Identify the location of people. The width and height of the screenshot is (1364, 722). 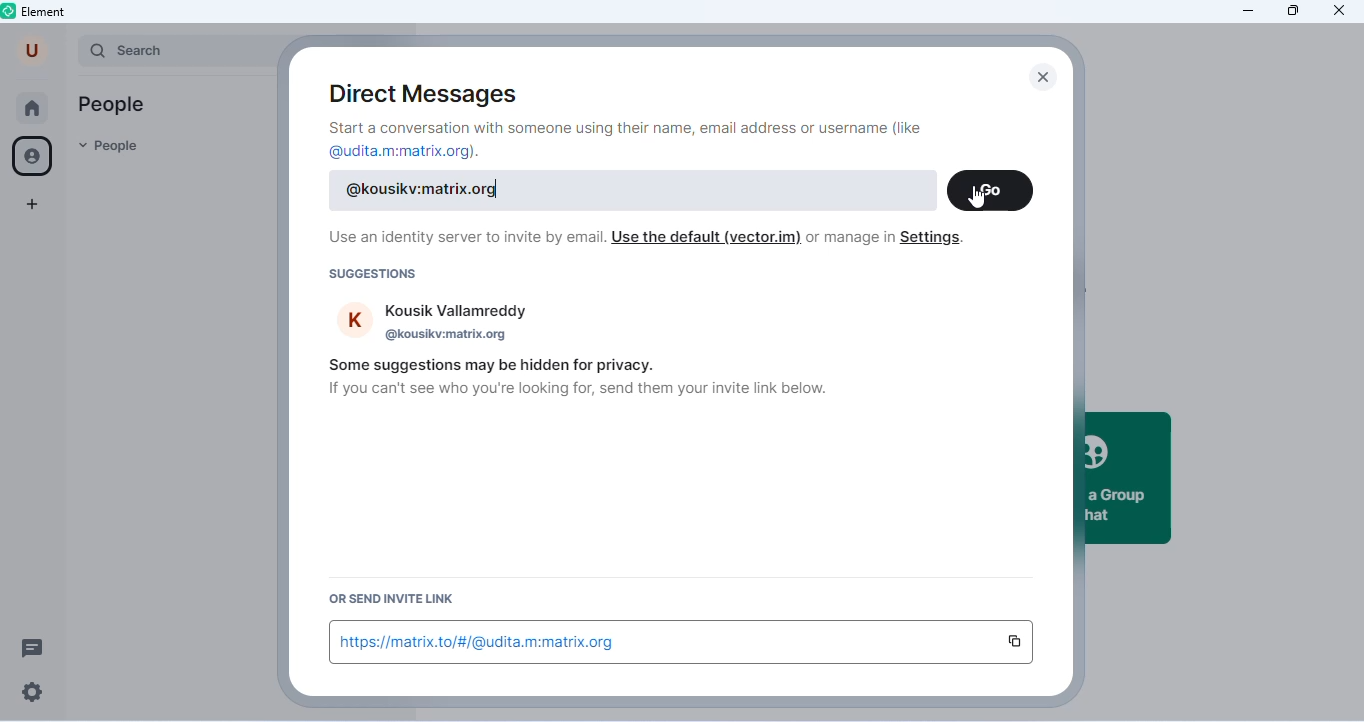
(35, 157).